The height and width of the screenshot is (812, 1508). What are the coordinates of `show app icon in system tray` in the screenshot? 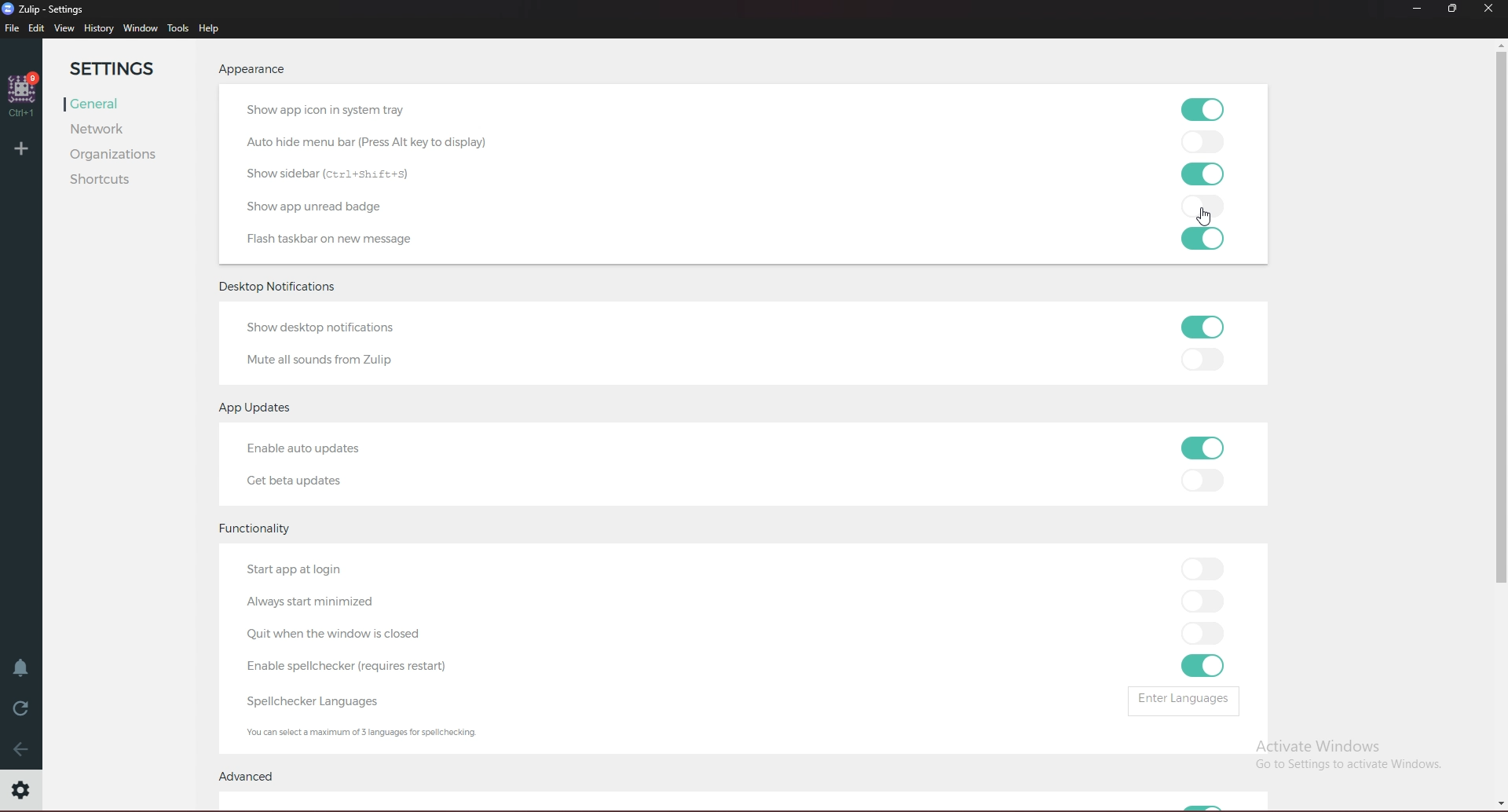 It's located at (335, 110).